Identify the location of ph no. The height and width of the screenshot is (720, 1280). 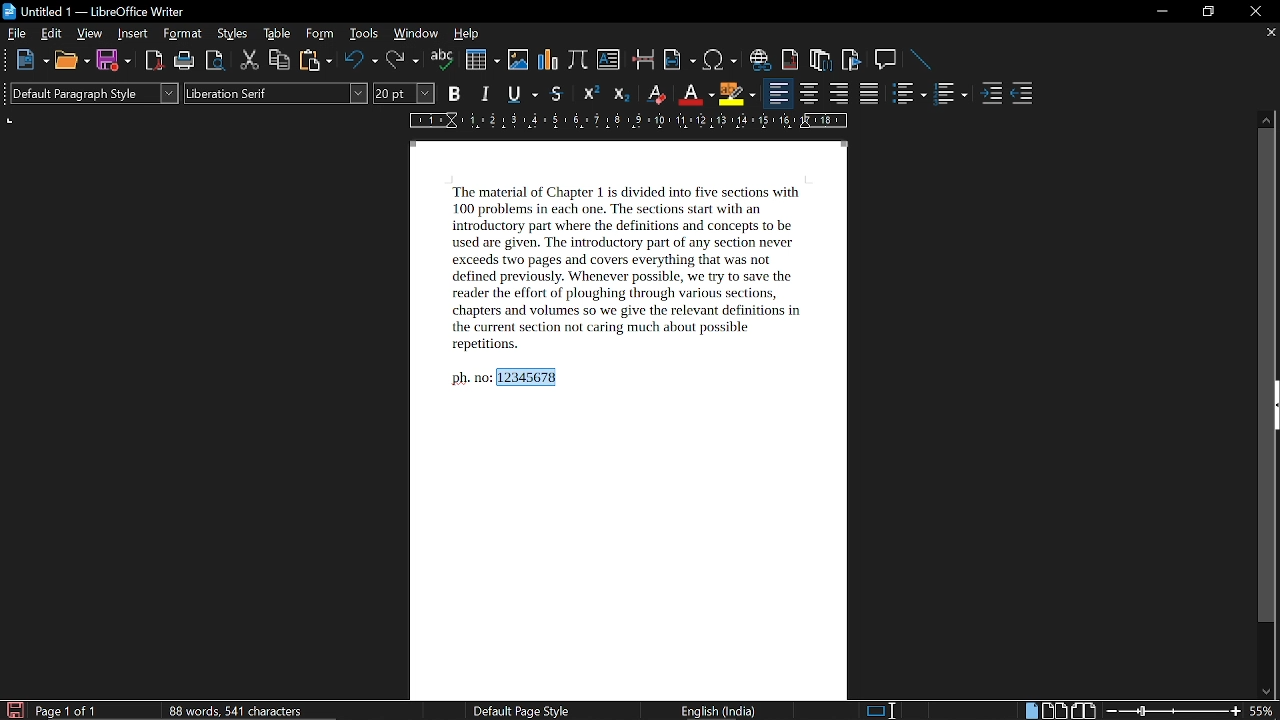
(467, 379).